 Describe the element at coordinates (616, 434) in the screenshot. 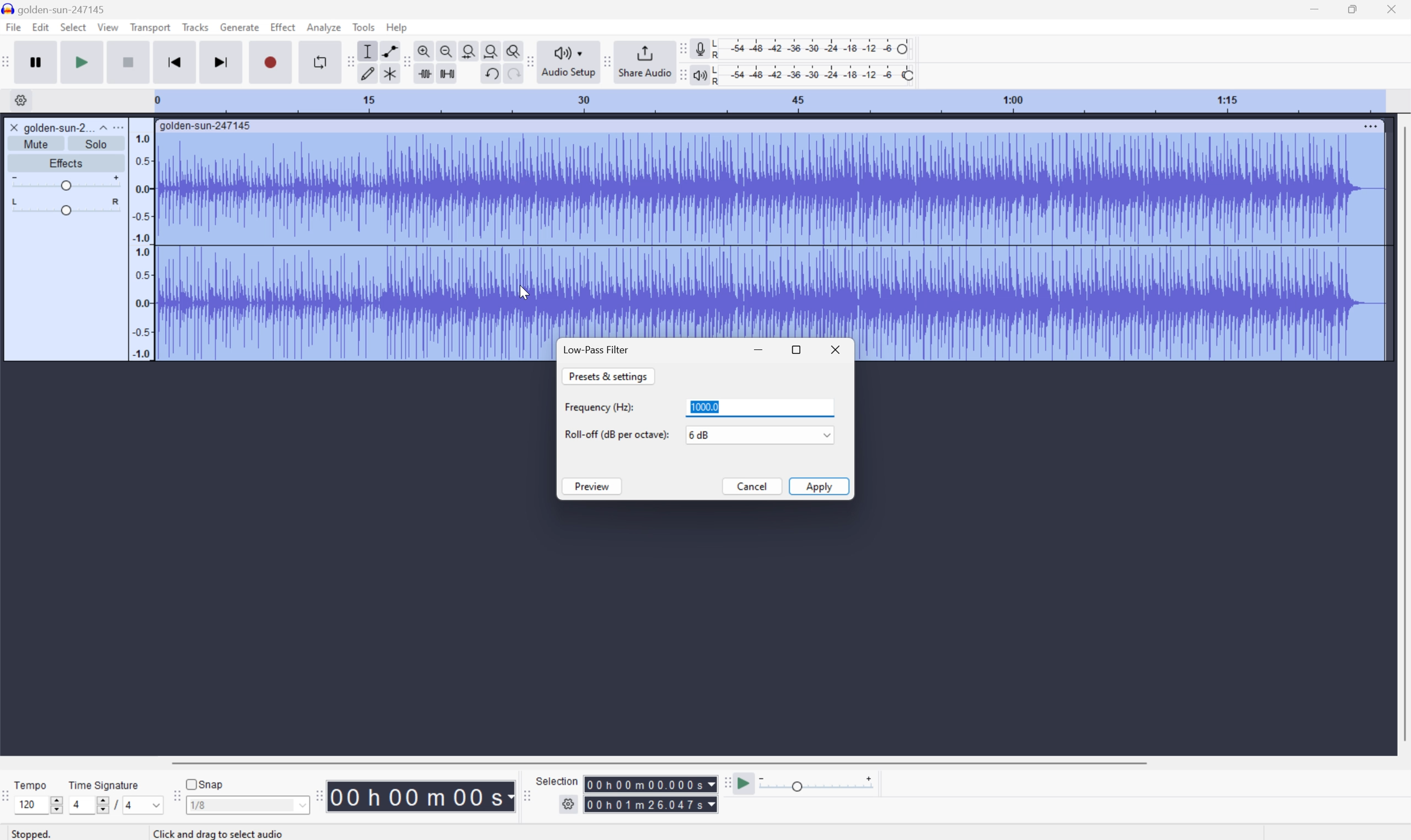

I see `Roll-off (dB per octave):` at that location.